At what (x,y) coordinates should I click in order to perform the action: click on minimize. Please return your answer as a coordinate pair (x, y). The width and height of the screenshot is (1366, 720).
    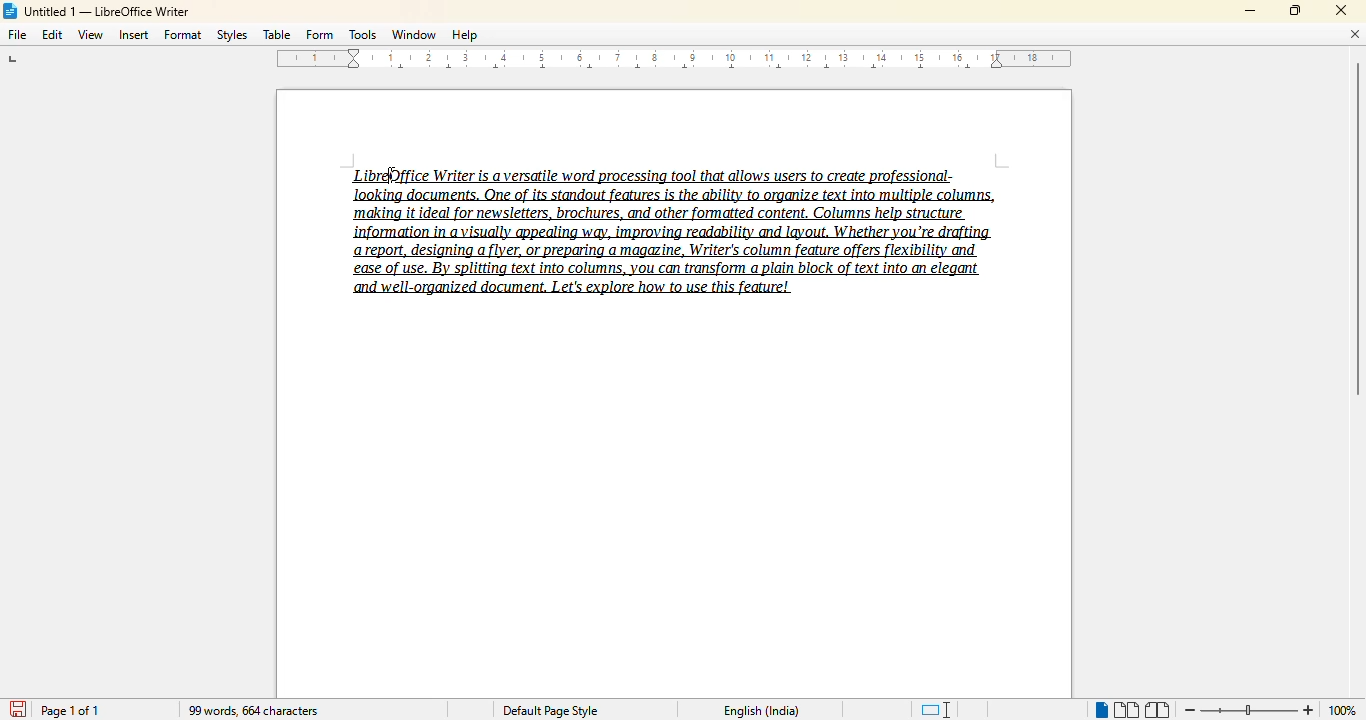
    Looking at the image, I should click on (1251, 10).